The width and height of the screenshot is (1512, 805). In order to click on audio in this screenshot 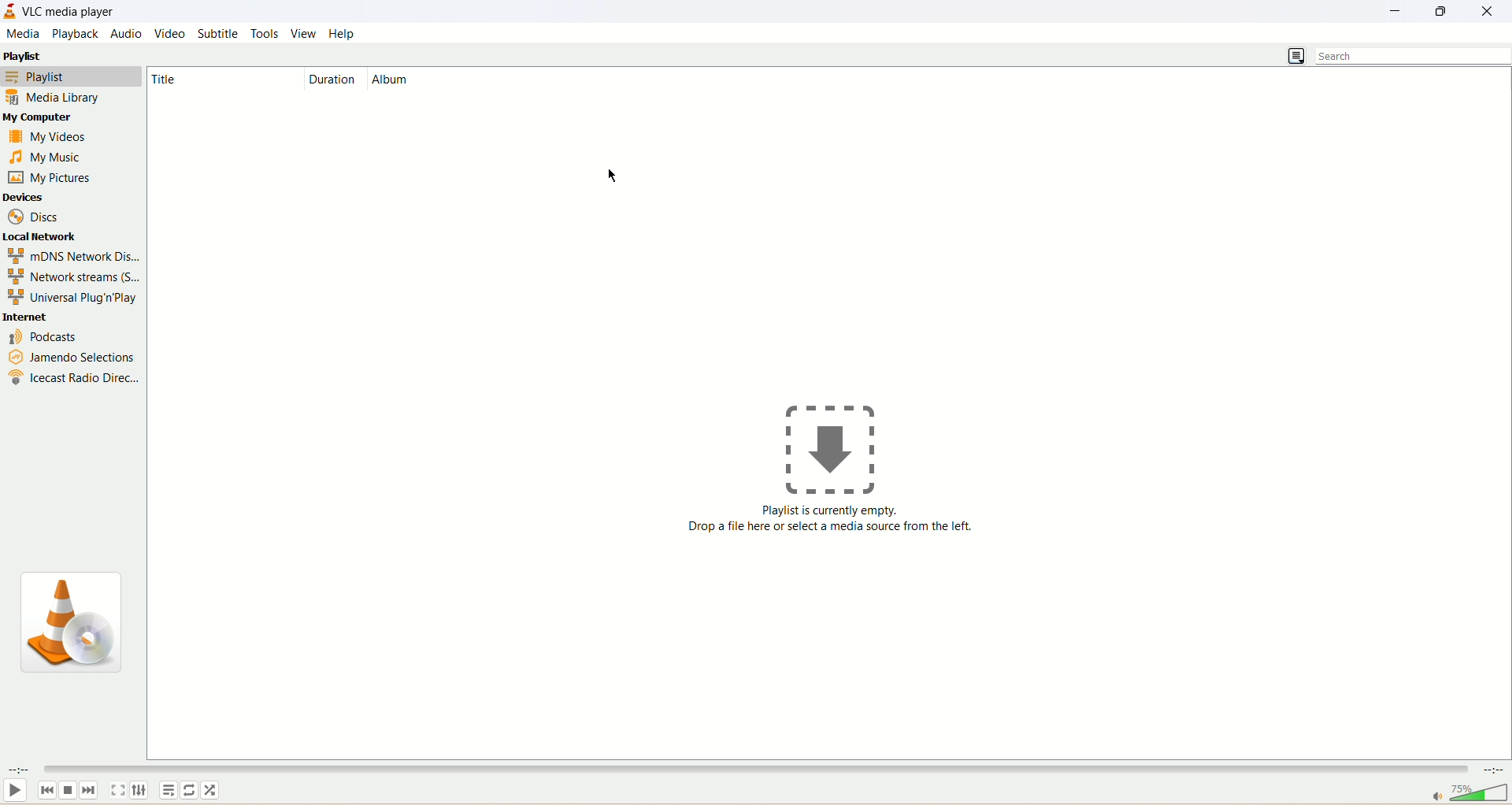, I will do `click(128, 32)`.